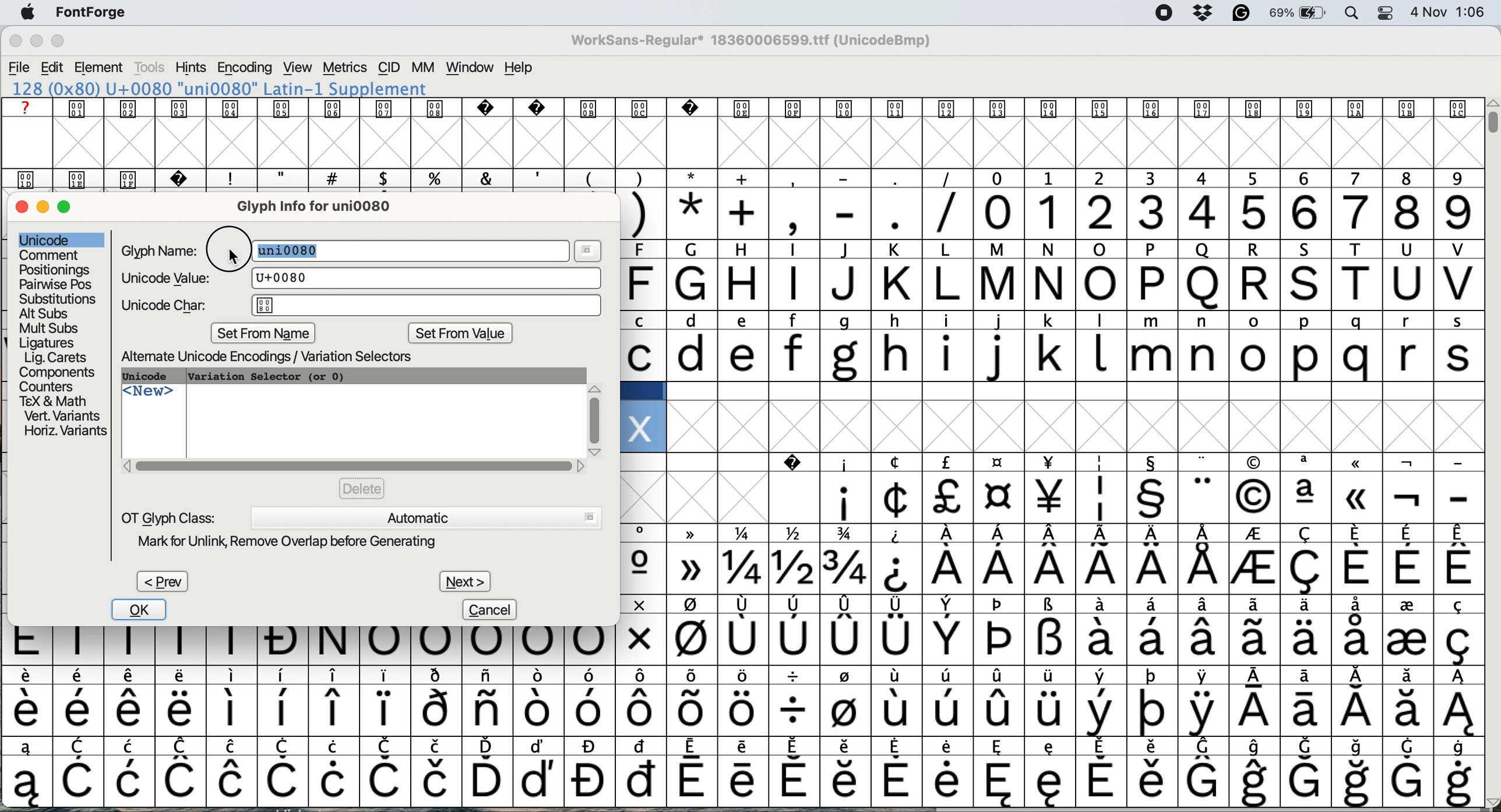  What do you see at coordinates (141, 610) in the screenshot?
I see `ok` at bounding box center [141, 610].